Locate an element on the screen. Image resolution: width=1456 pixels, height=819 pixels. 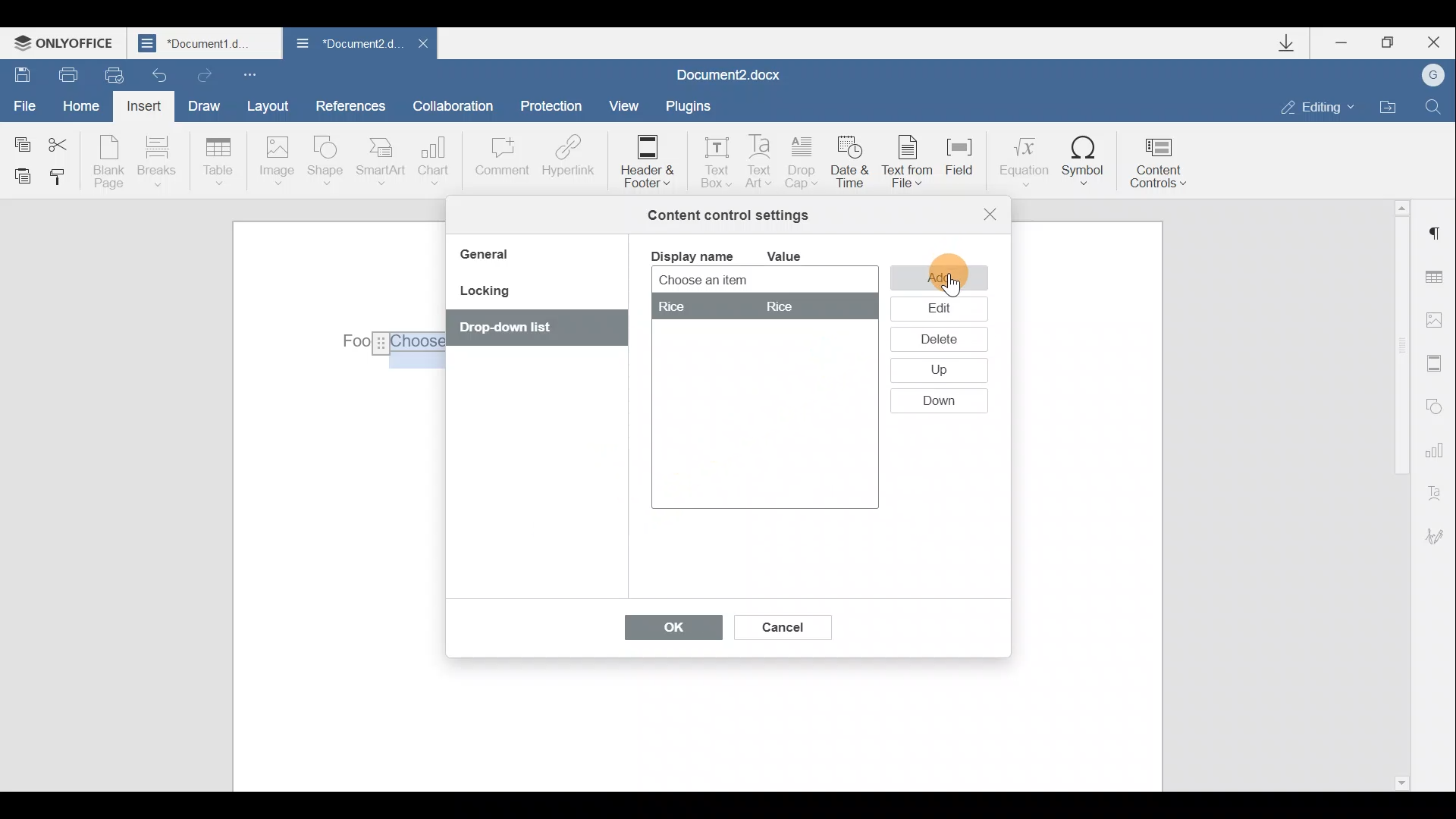
Collaboration is located at coordinates (459, 105).